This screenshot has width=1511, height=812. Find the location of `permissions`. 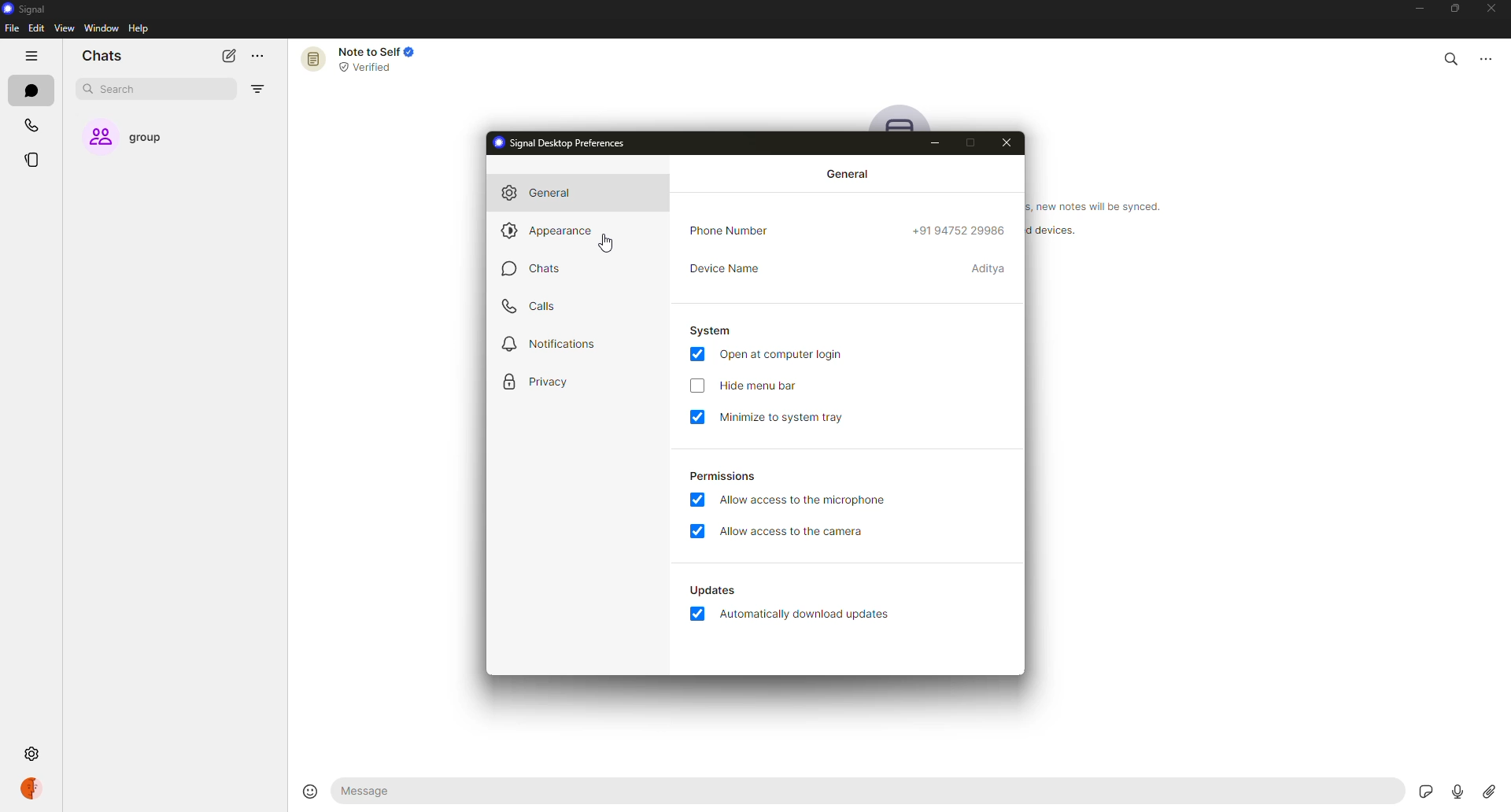

permissions is located at coordinates (725, 475).